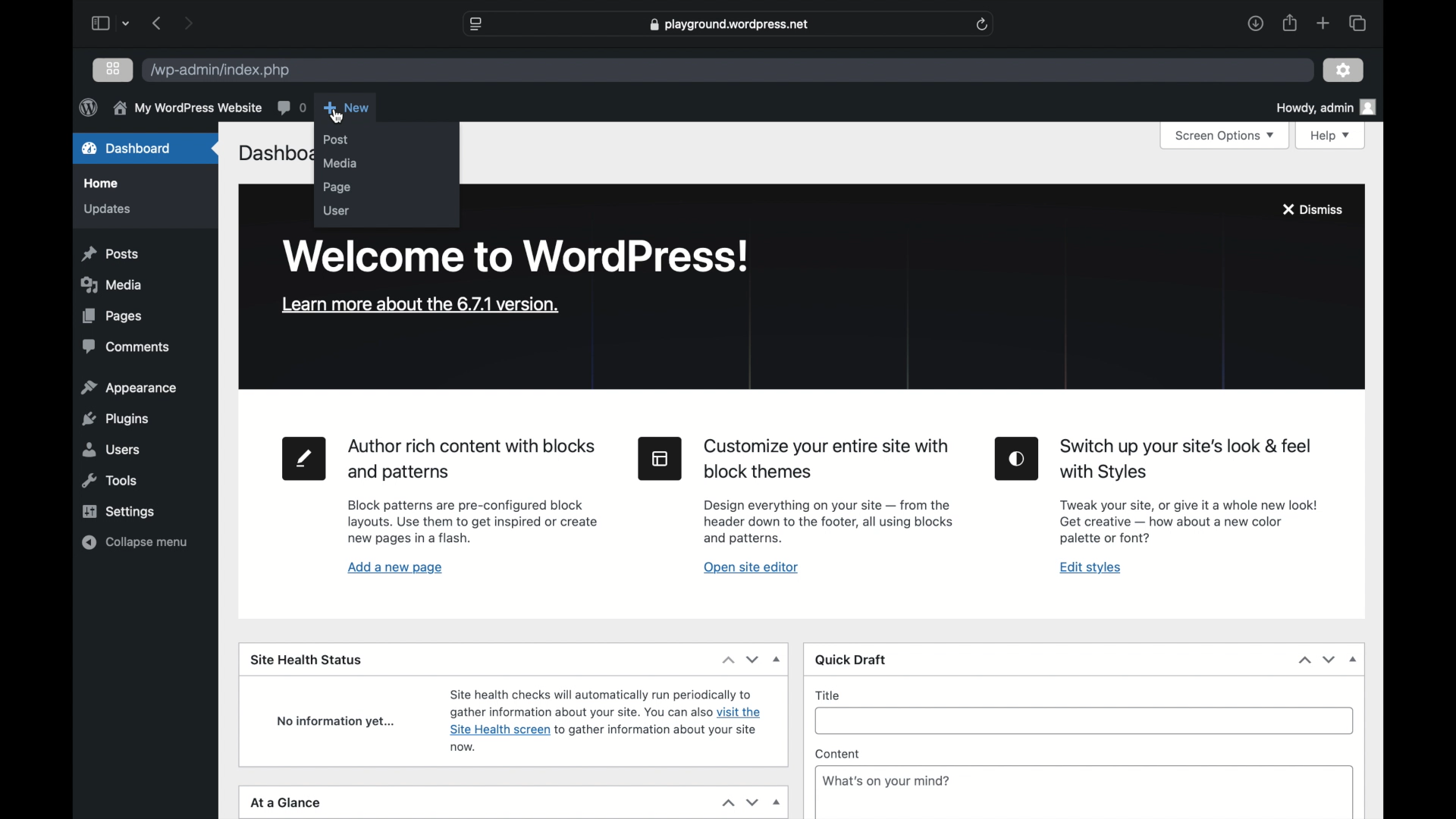 This screenshot has width=1456, height=819. What do you see at coordinates (188, 108) in the screenshot?
I see `my wordpress website` at bounding box center [188, 108].